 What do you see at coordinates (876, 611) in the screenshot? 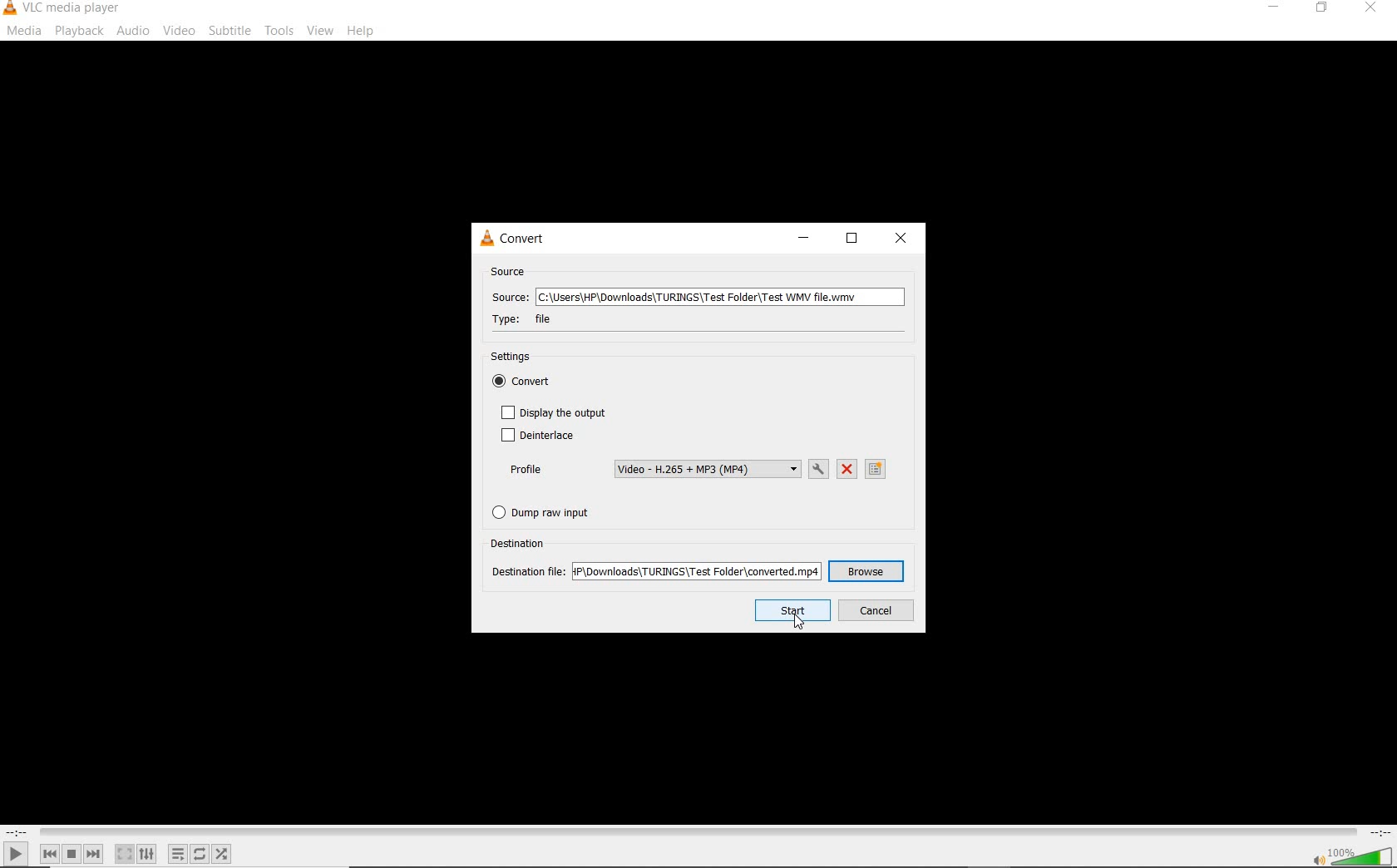
I see `cancel` at bounding box center [876, 611].